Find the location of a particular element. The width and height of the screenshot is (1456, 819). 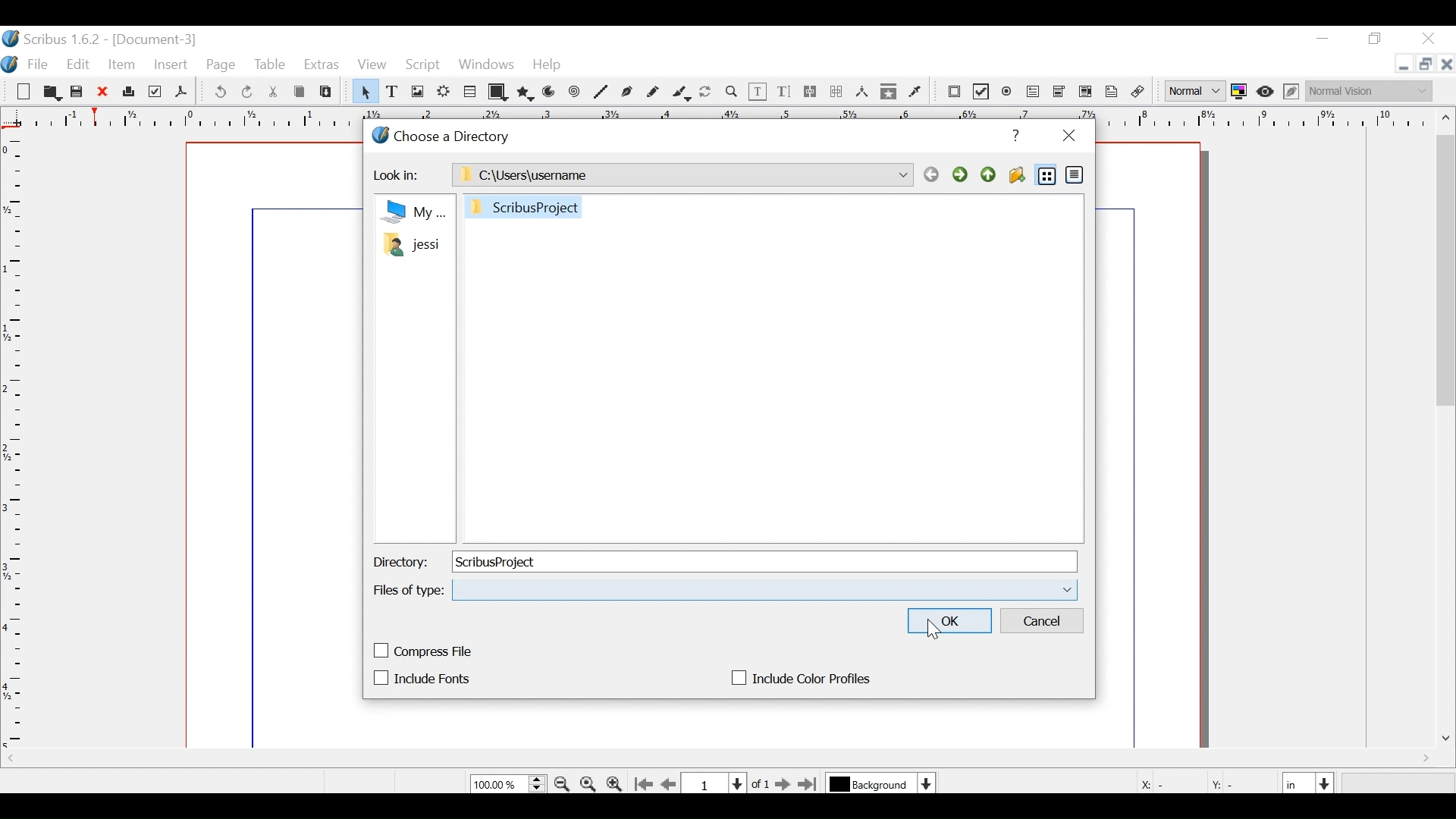

Preview mode is located at coordinates (1266, 93).